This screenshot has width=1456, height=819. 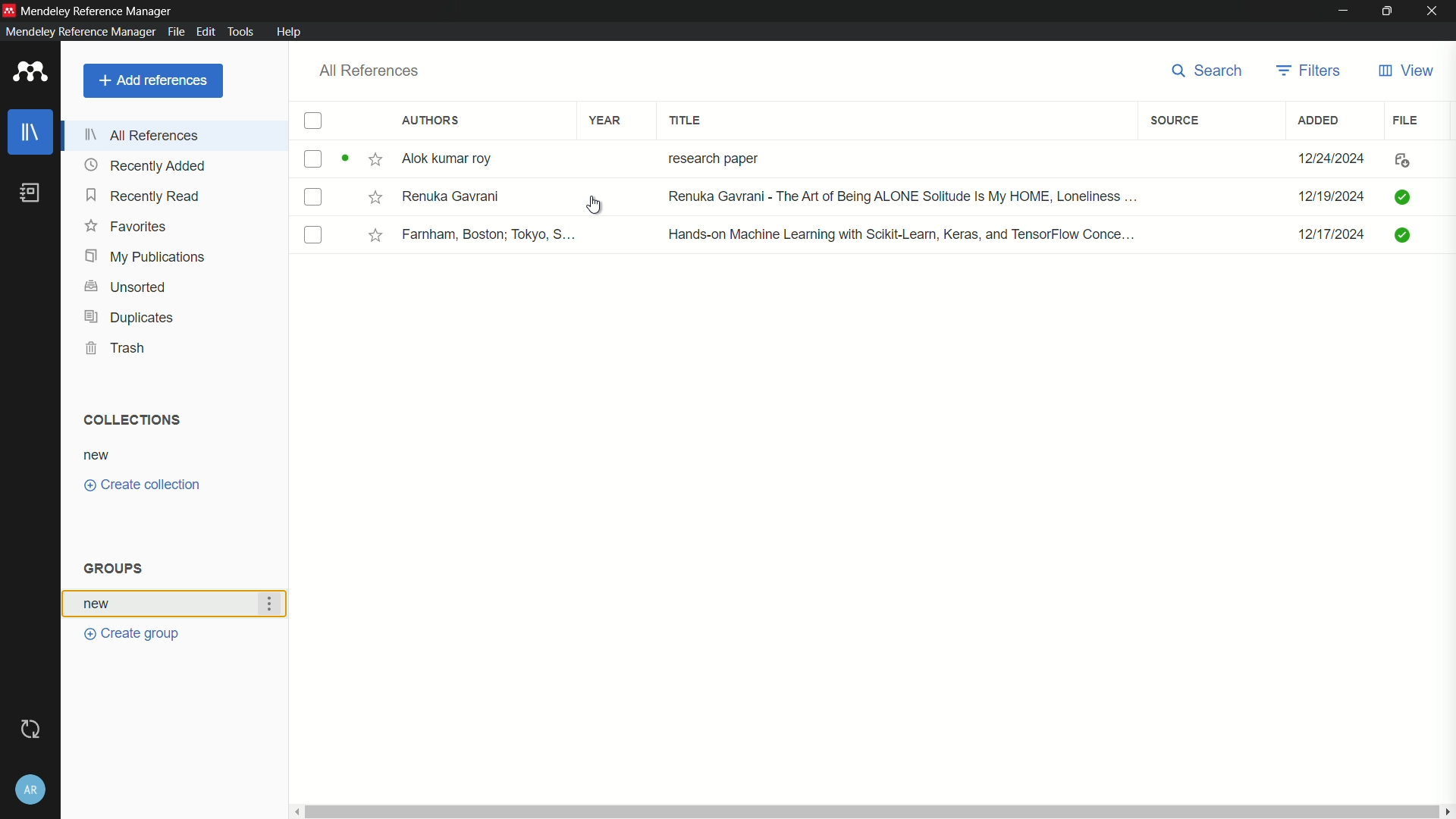 I want to click on filters, so click(x=1309, y=70).